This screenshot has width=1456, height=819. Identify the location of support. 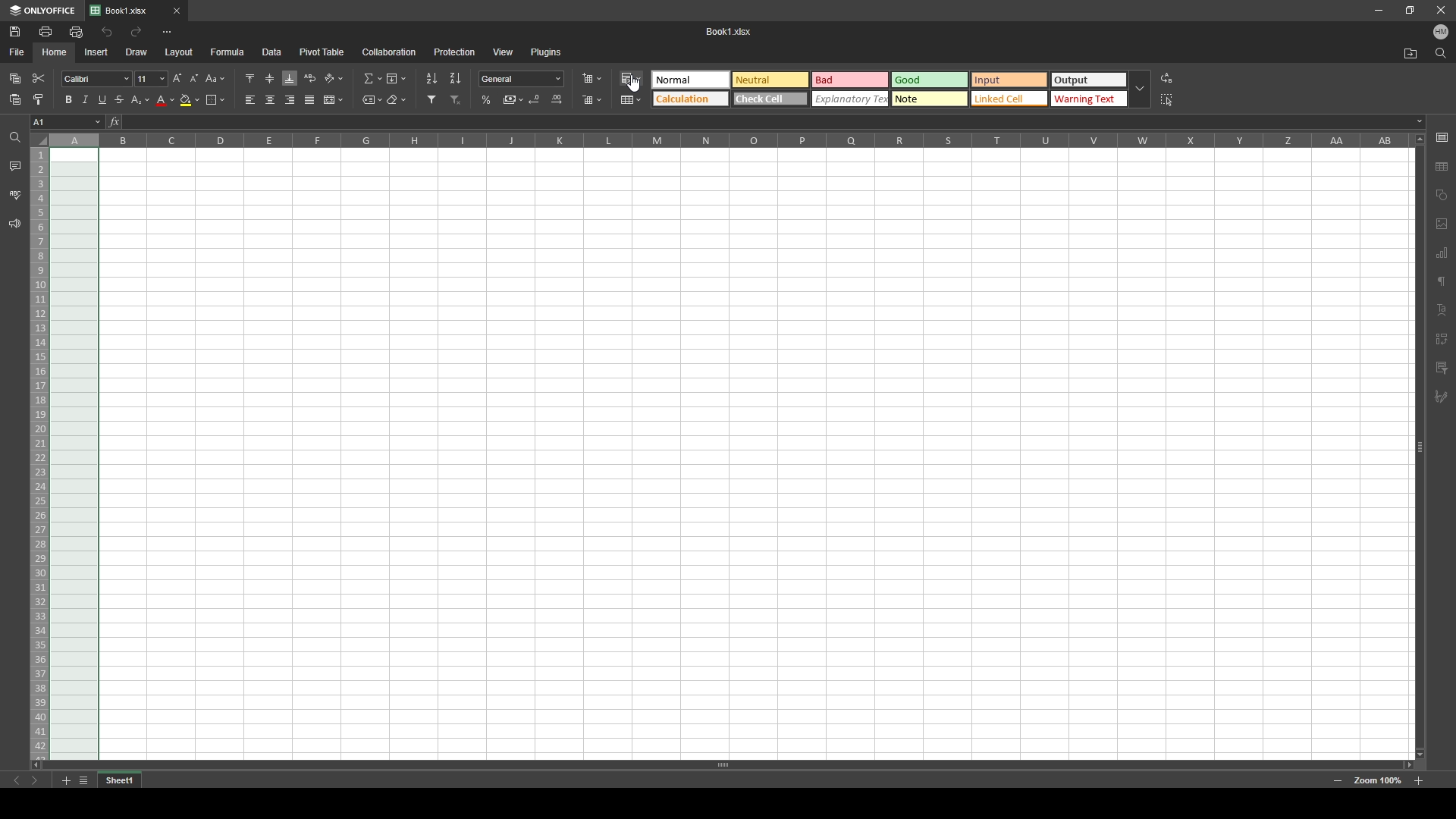
(14, 224).